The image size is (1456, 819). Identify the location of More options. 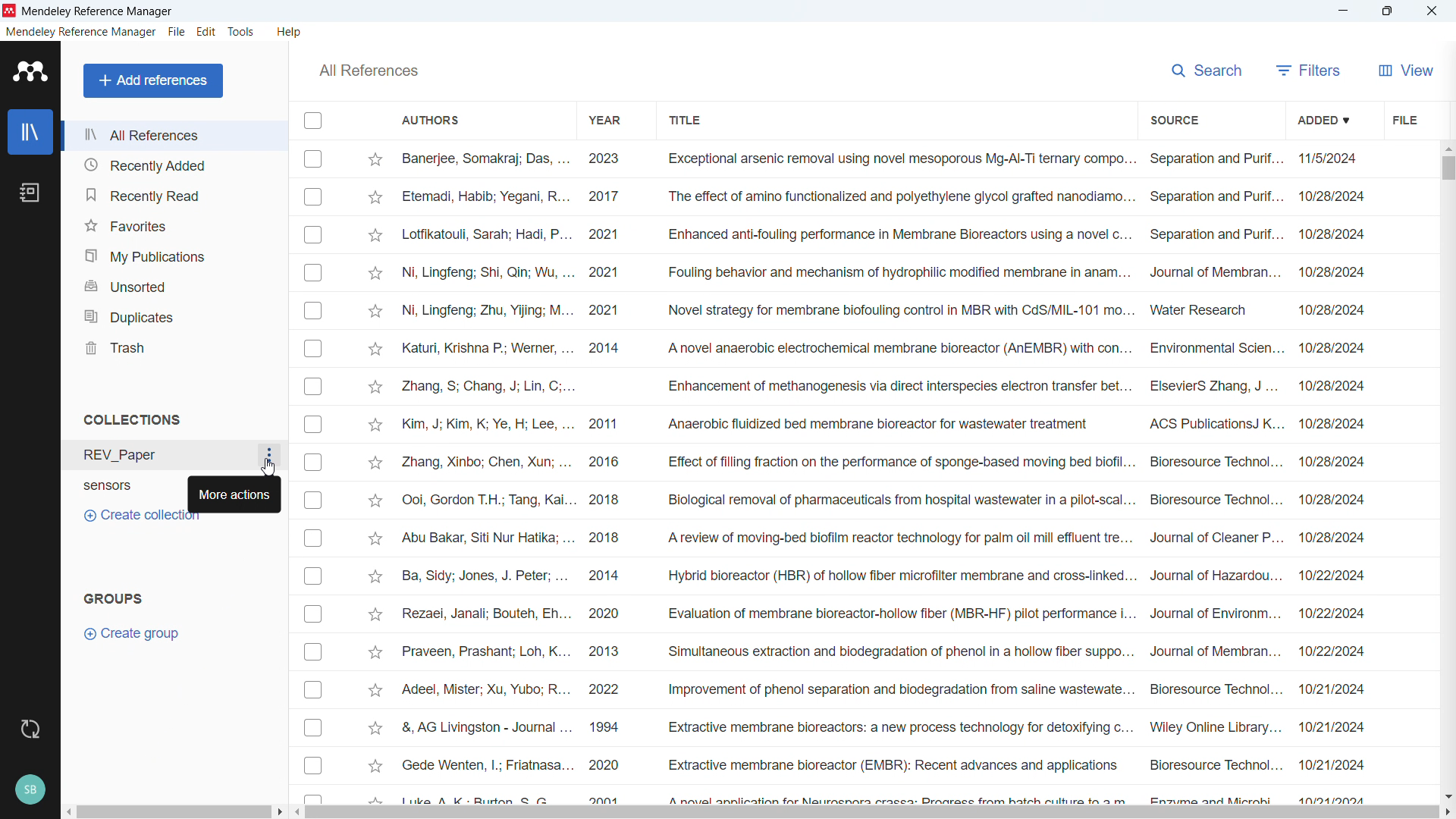
(270, 457).